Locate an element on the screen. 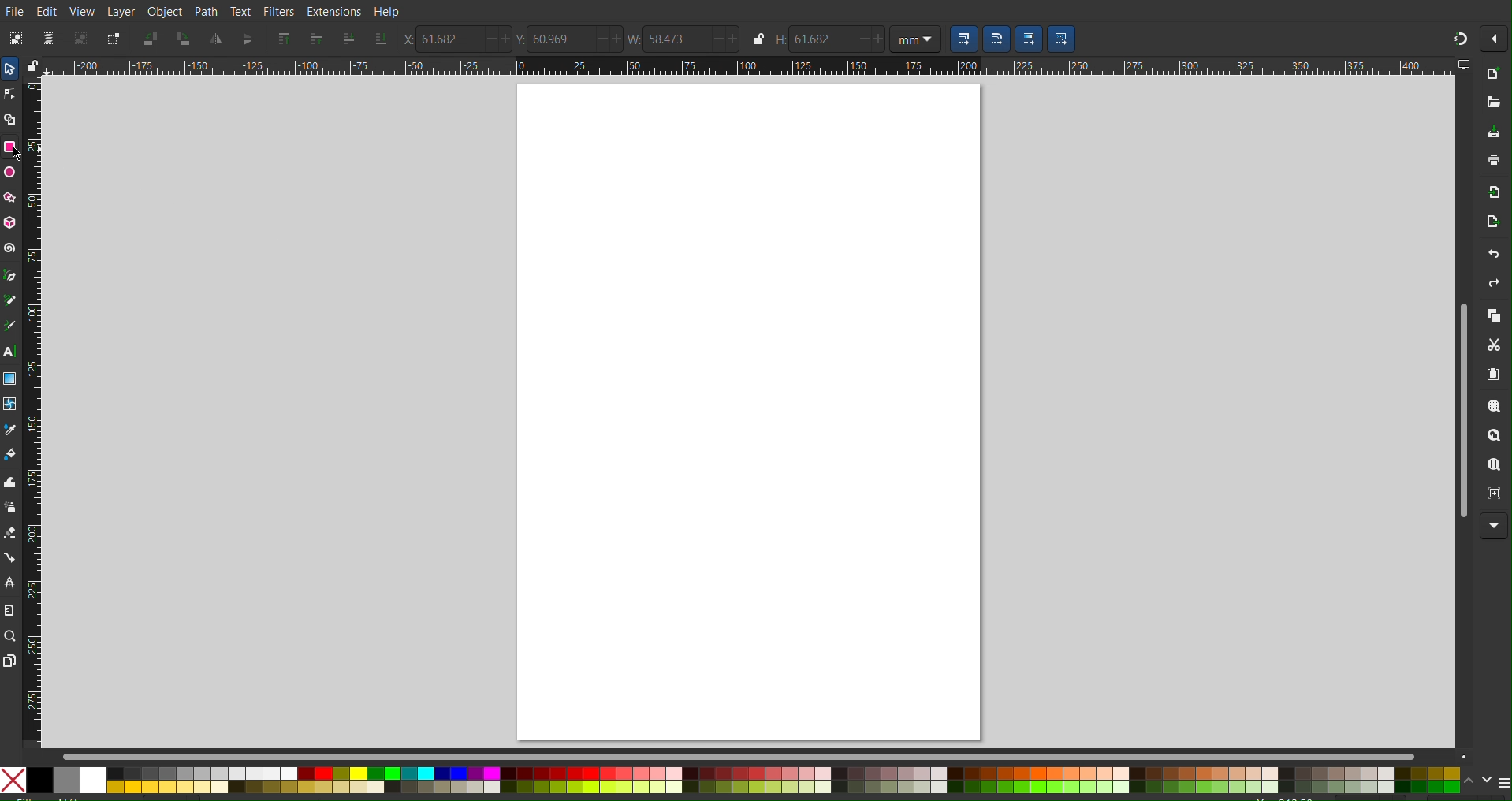 This screenshot has width=1512, height=801. Redo is located at coordinates (1494, 287).